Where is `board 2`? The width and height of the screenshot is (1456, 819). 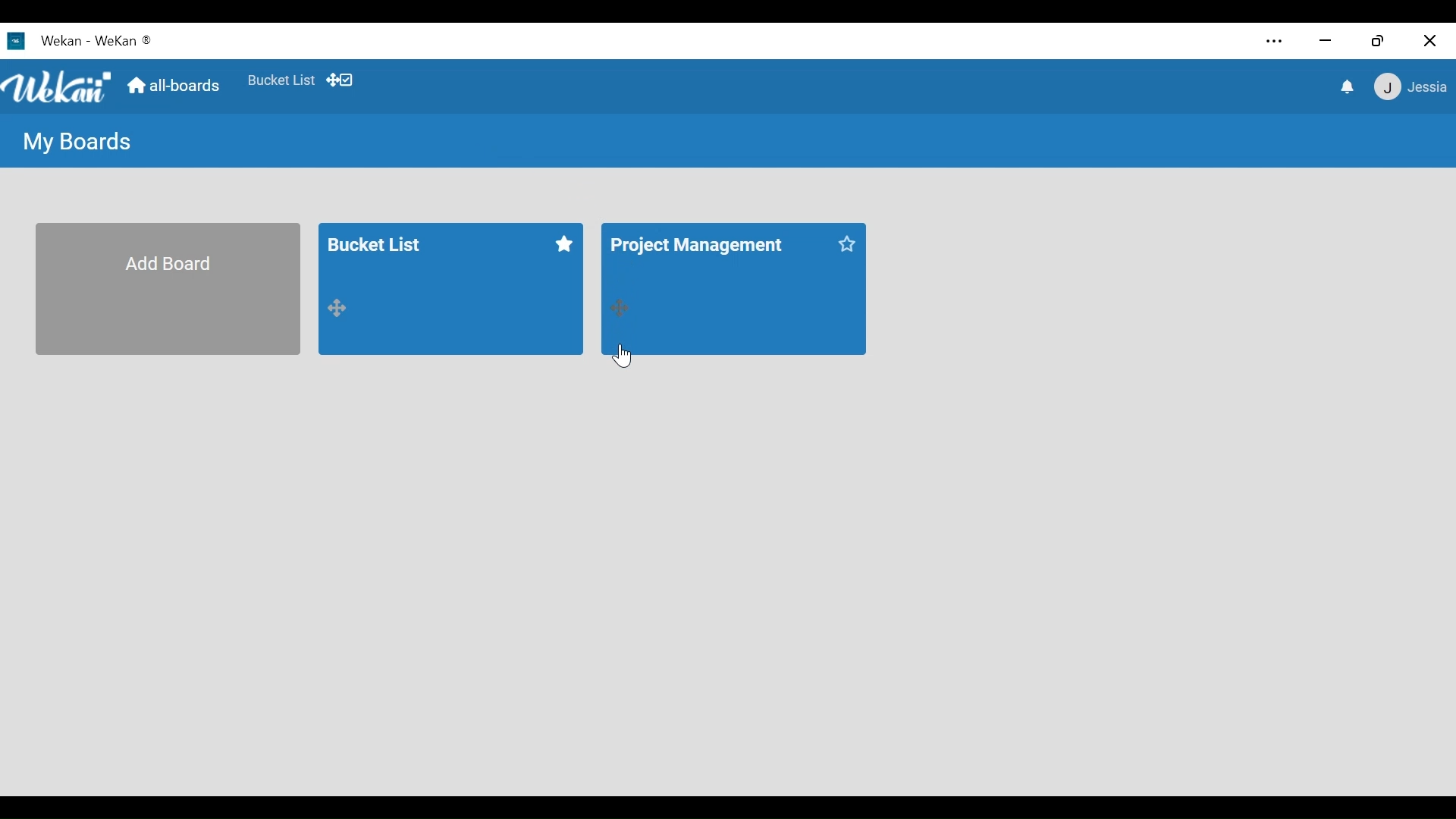
board 2 is located at coordinates (733, 288).